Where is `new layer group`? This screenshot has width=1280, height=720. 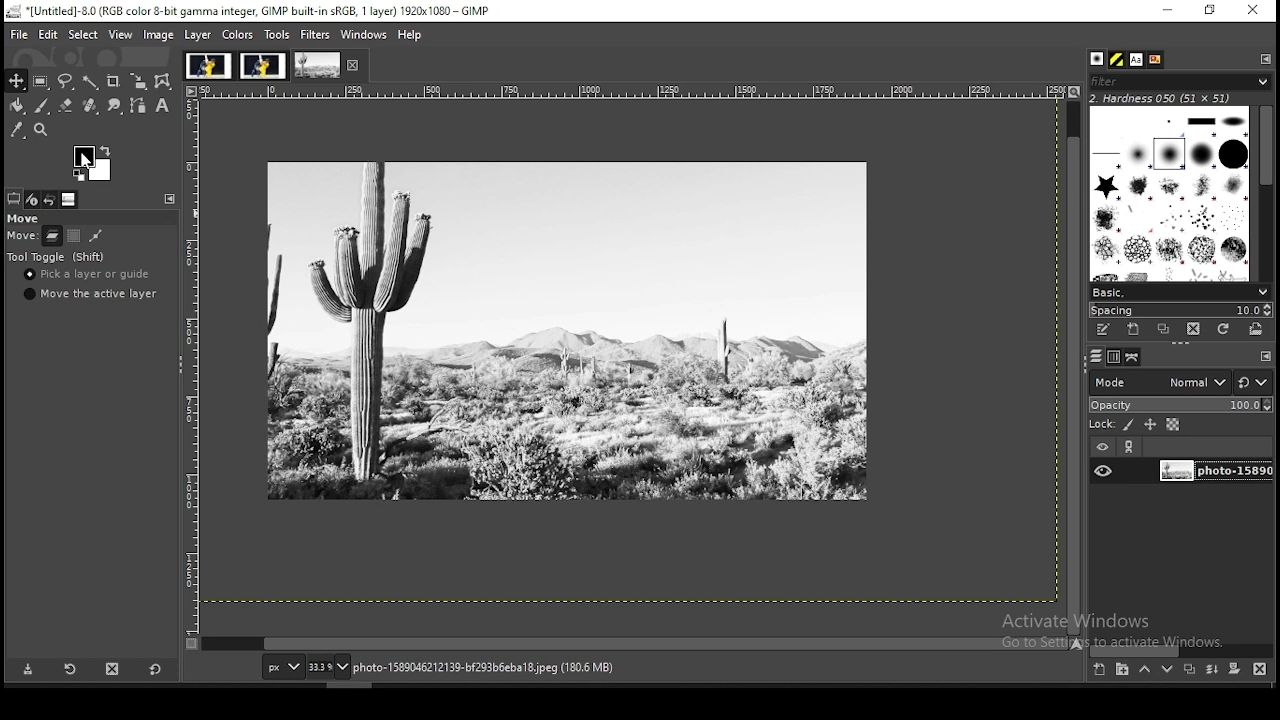
new layer group is located at coordinates (1121, 670).